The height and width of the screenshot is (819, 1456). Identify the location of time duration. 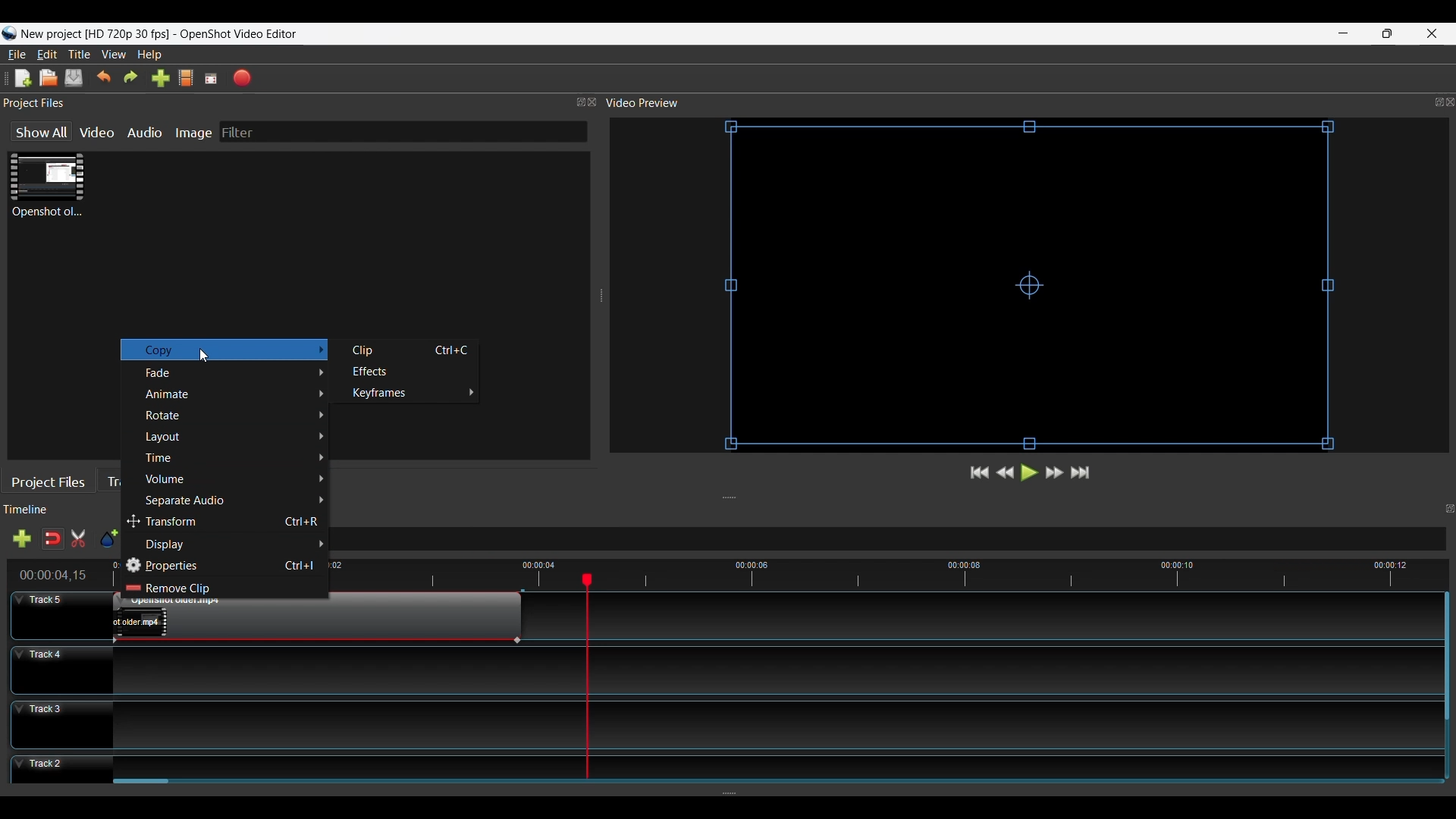
(55, 575).